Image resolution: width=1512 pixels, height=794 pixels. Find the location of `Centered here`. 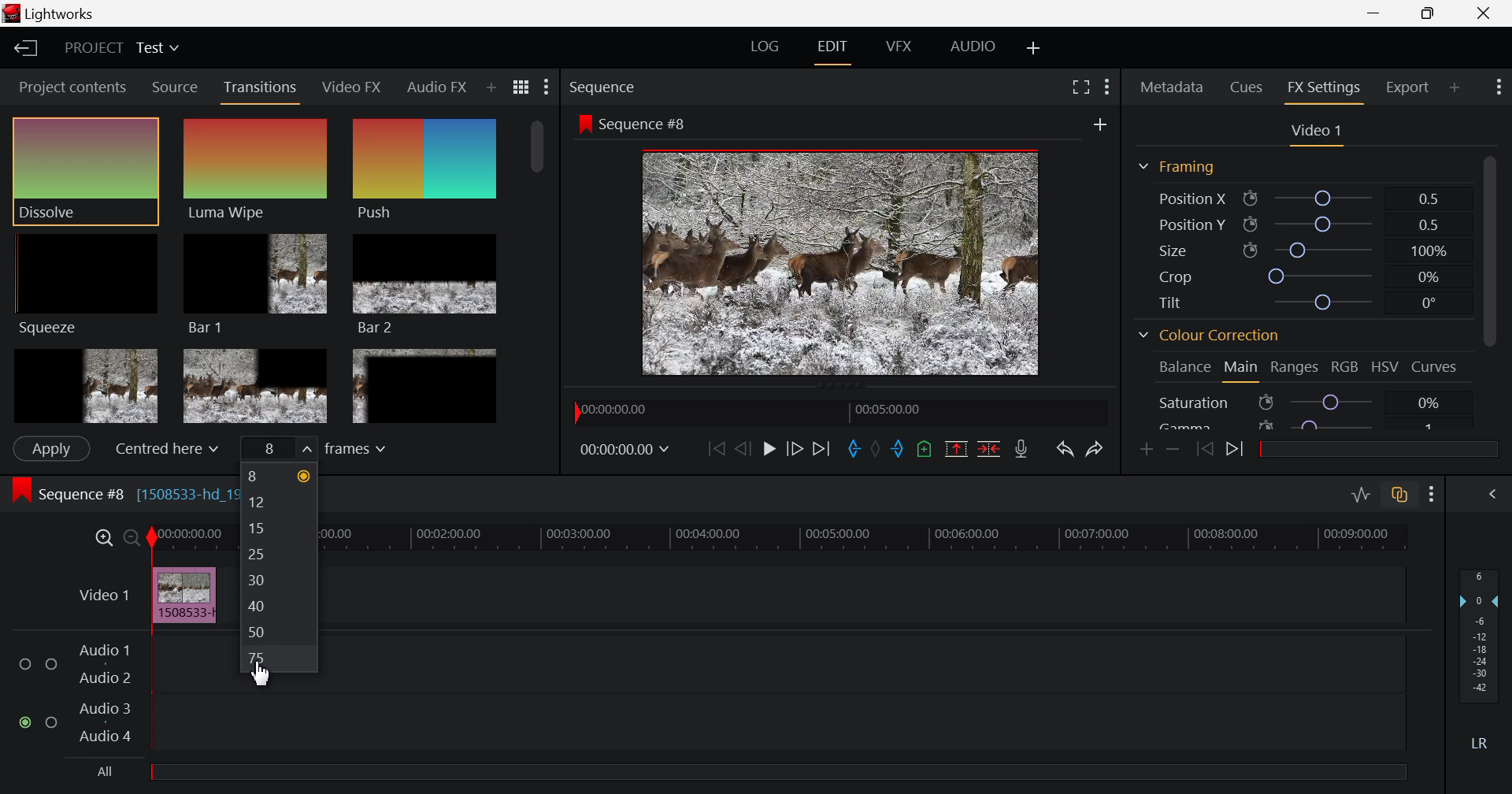

Centered here is located at coordinates (165, 447).